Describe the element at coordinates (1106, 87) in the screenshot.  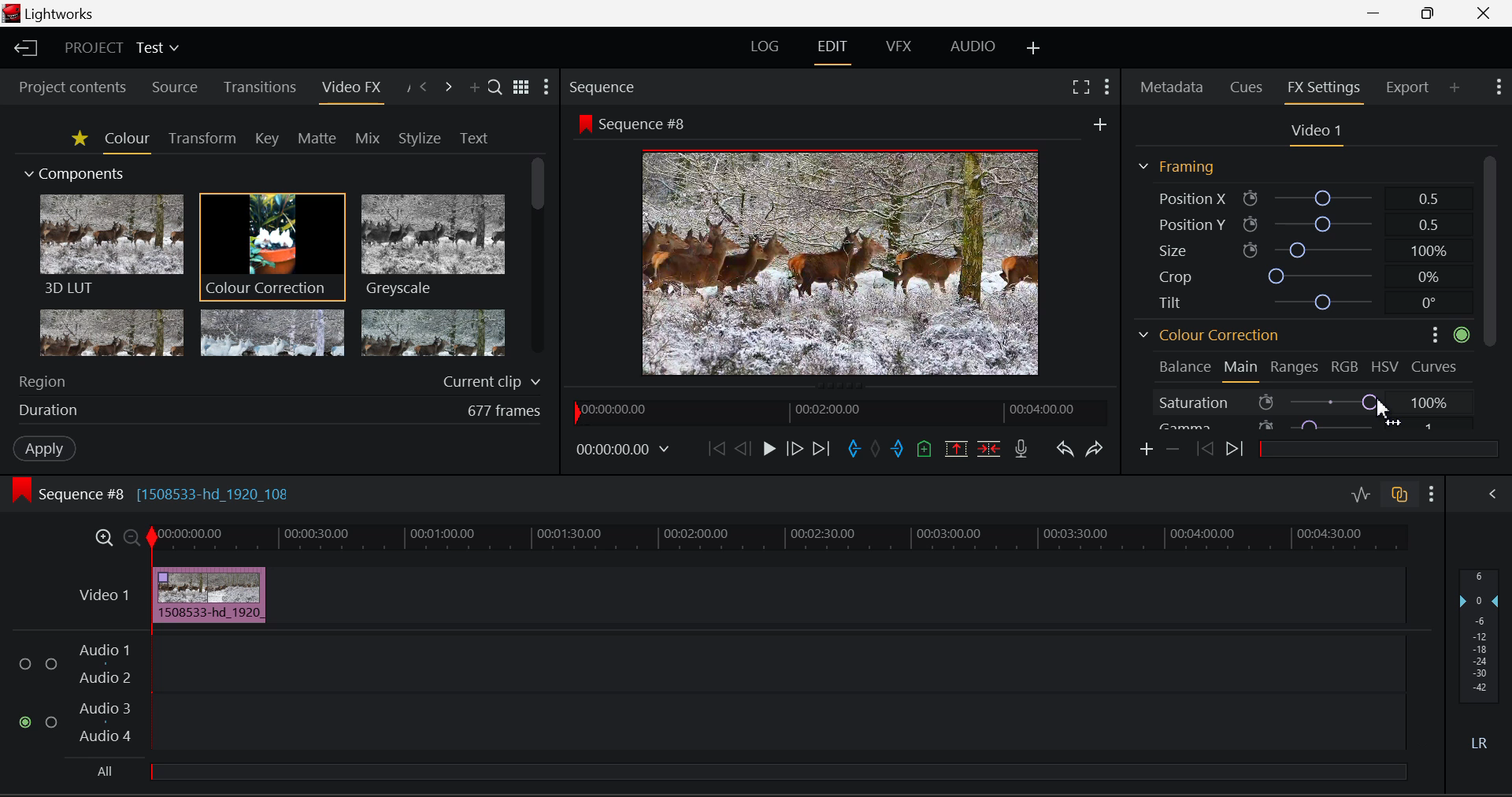
I see `Show Settings` at that location.